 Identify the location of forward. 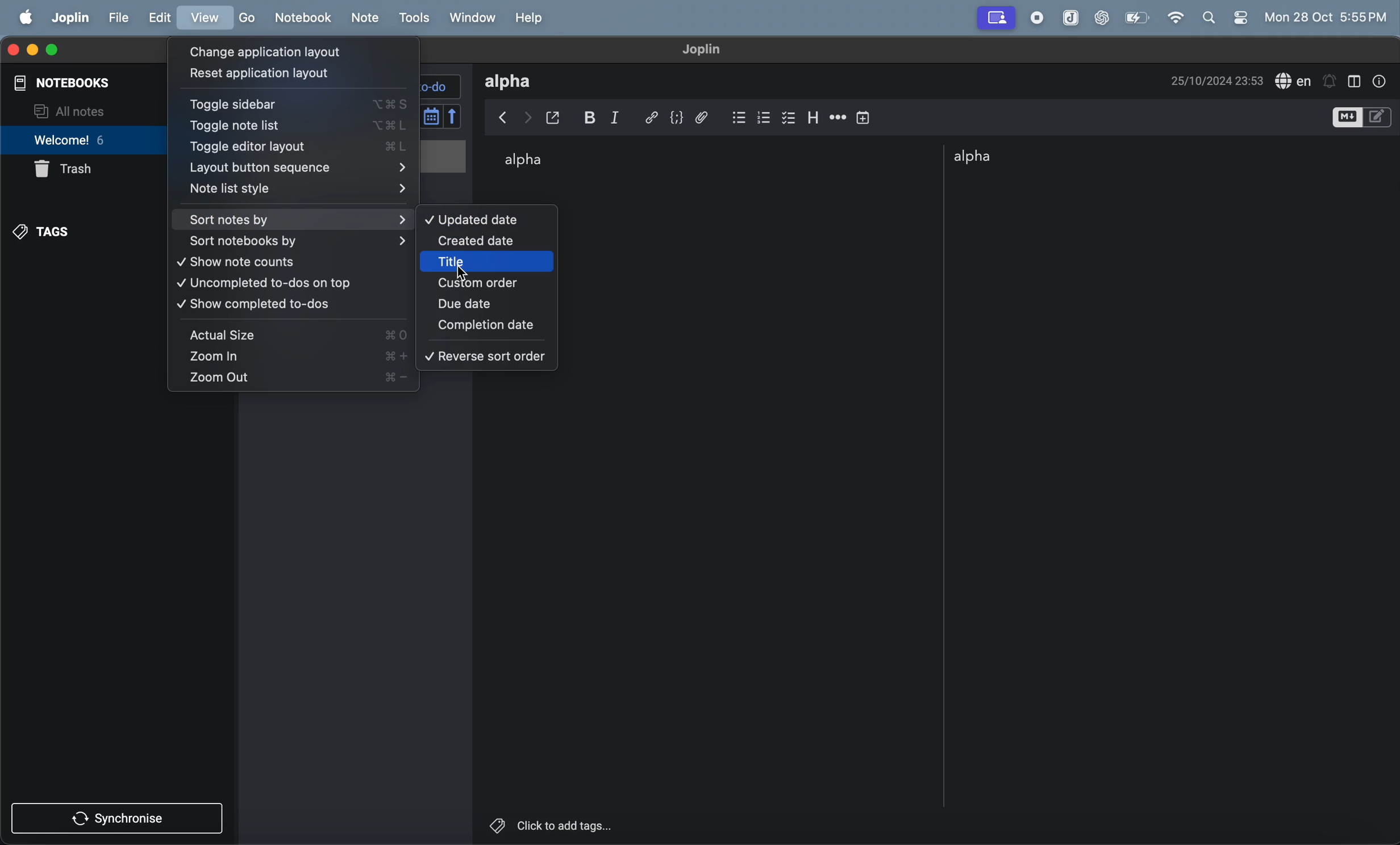
(528, 115).